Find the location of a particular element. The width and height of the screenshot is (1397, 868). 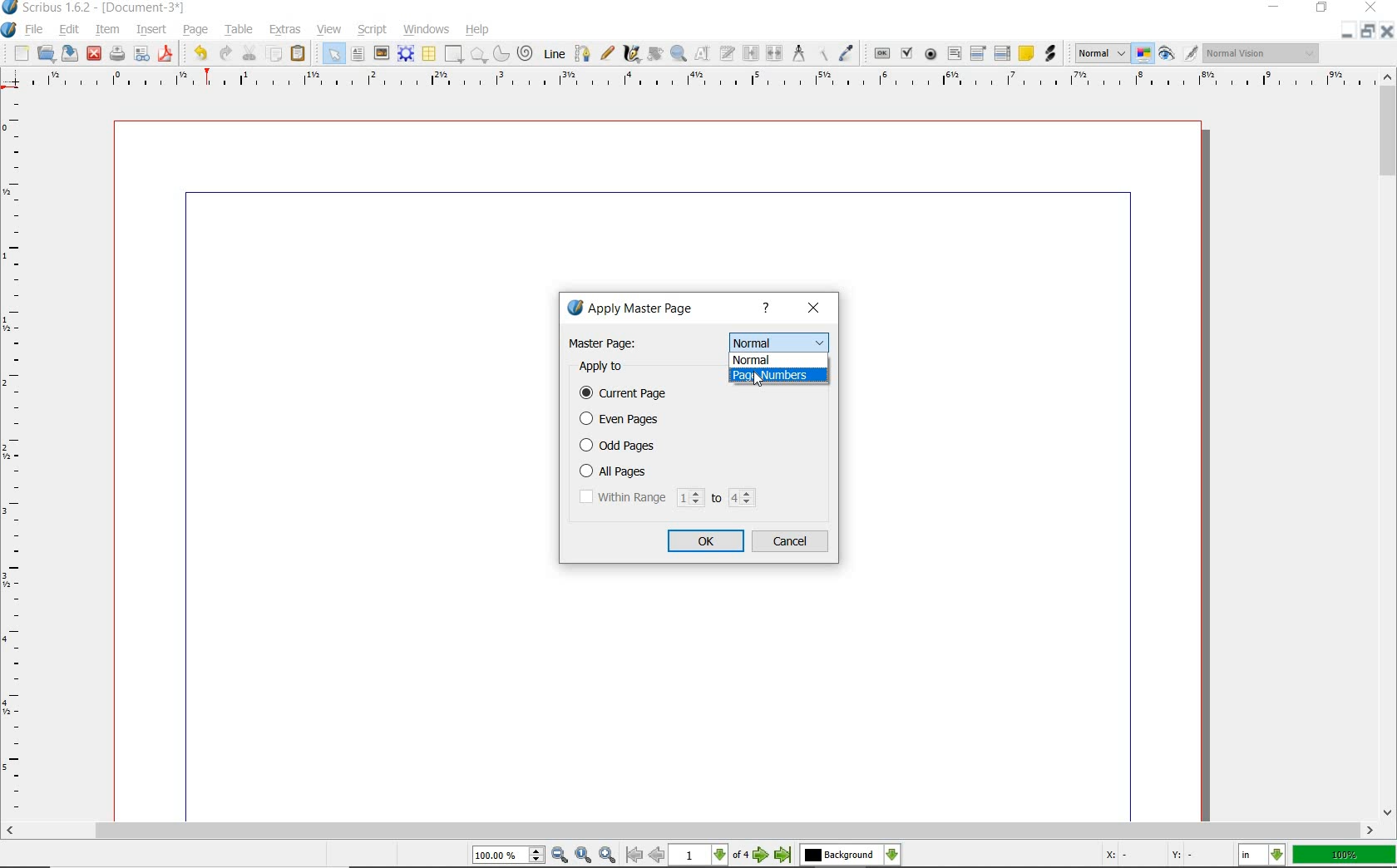

zoom in or zoom out is located at coordinates (678, 54).